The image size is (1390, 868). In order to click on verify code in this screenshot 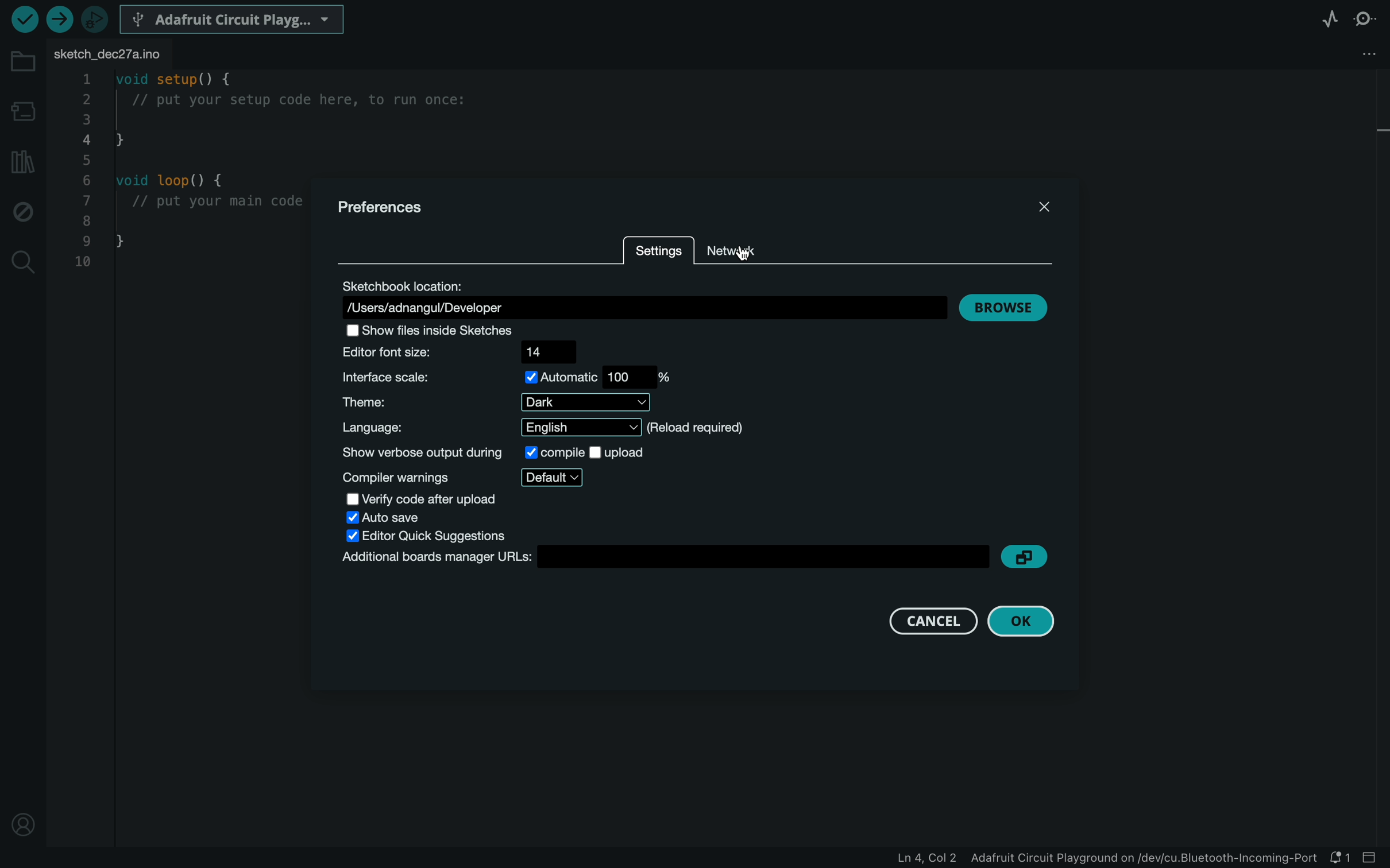, I will do `click(424, 498)`.